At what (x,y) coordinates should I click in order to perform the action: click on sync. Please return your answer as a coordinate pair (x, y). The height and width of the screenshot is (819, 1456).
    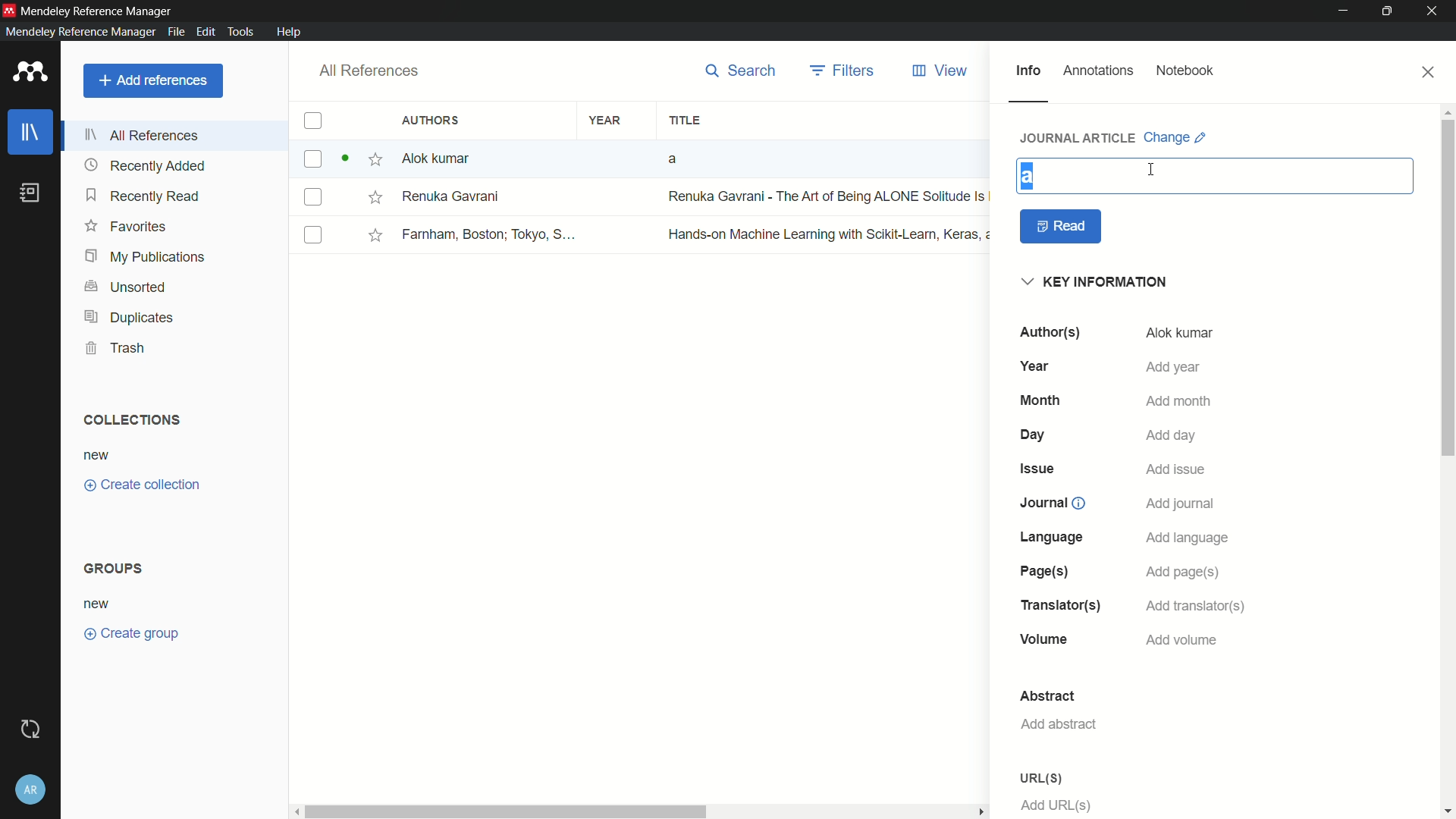
    Looking at the image, I should click on (33, 730).